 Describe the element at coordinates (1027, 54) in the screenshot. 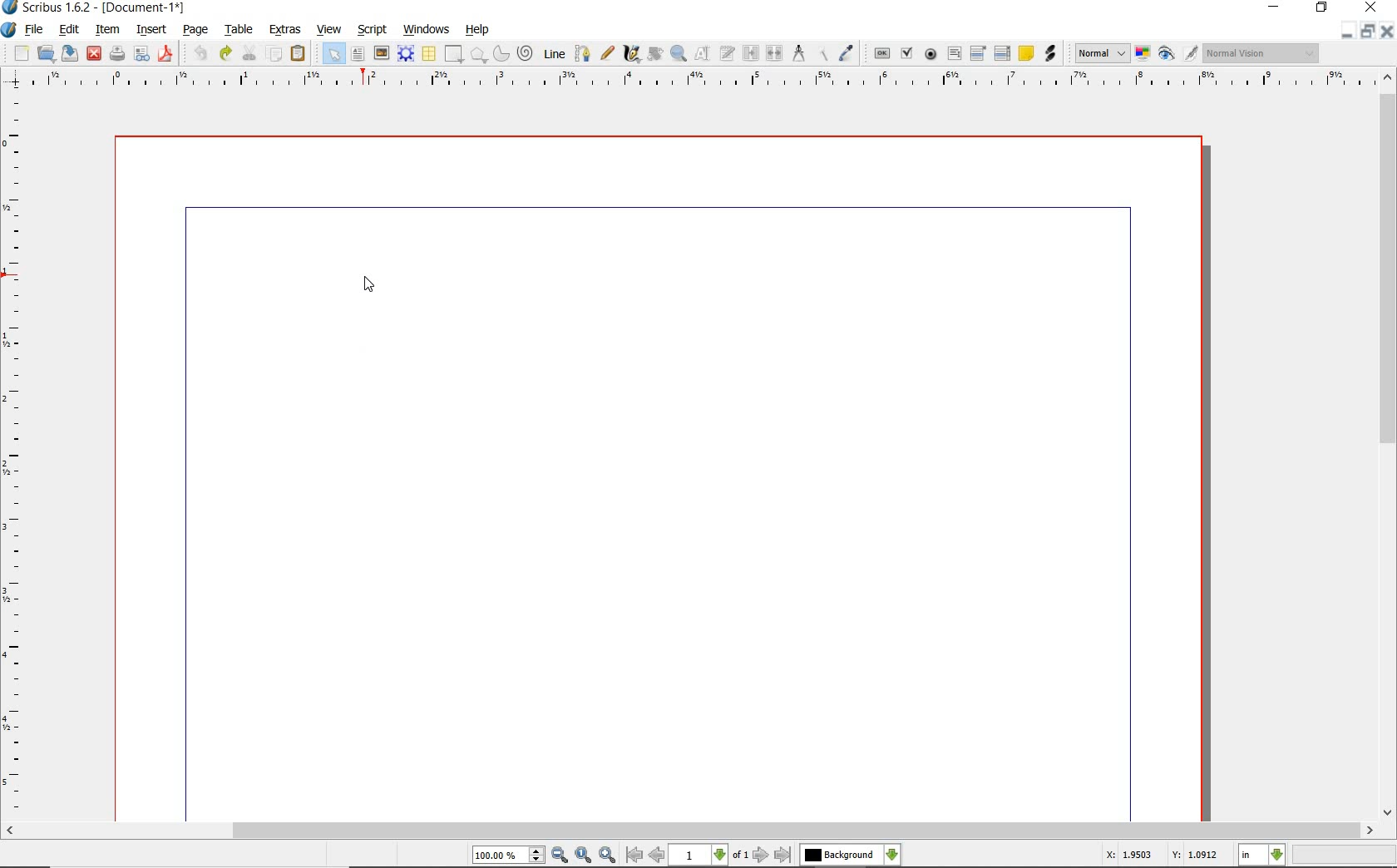

I see `text annotation` at that location.